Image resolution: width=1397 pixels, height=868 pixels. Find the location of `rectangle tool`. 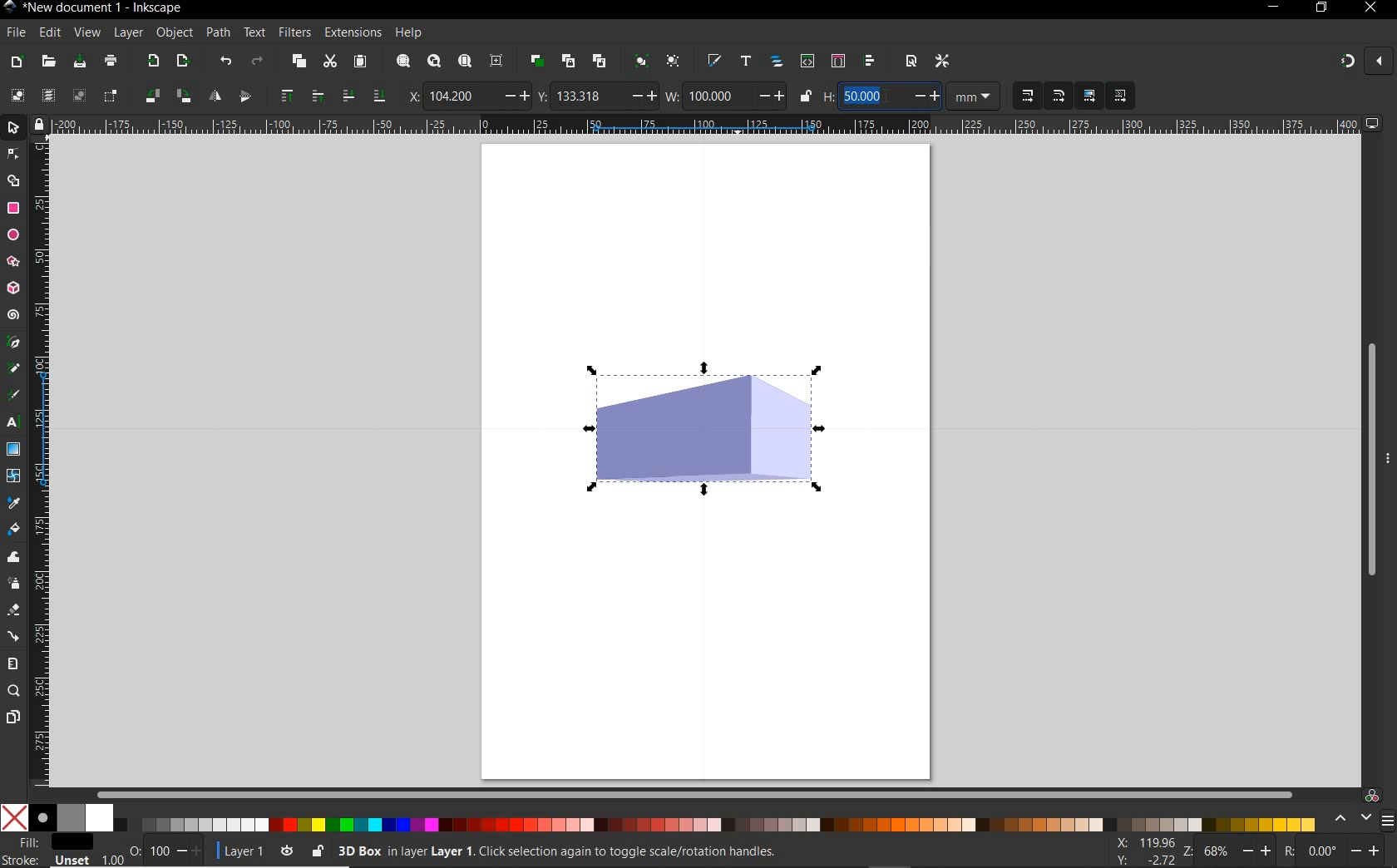

rectangle tool is located at coordinates (13, 209).